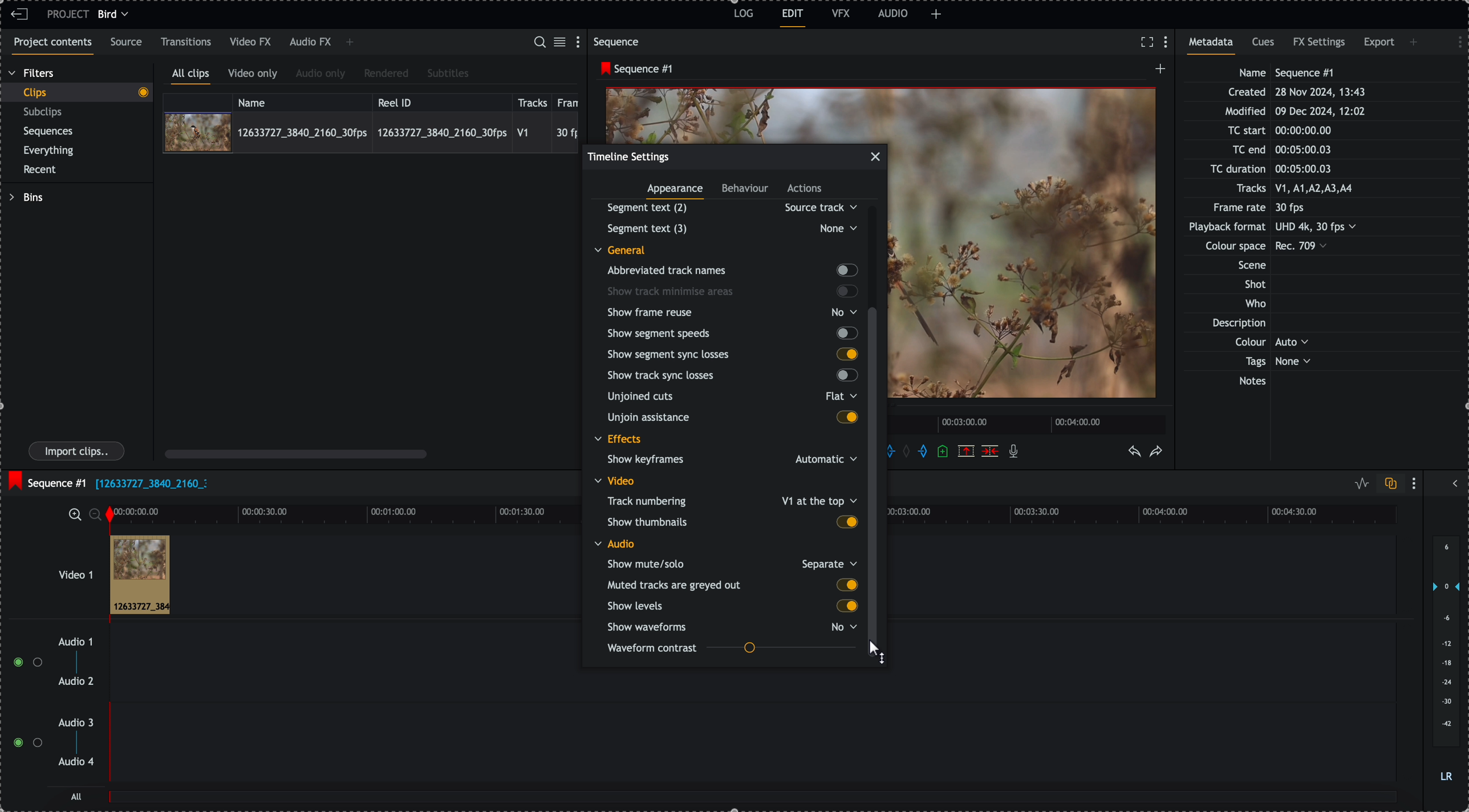 Image resolution: width=1469 pixels, height=812 pixels. I want to click on show levels, so click(730, 606).